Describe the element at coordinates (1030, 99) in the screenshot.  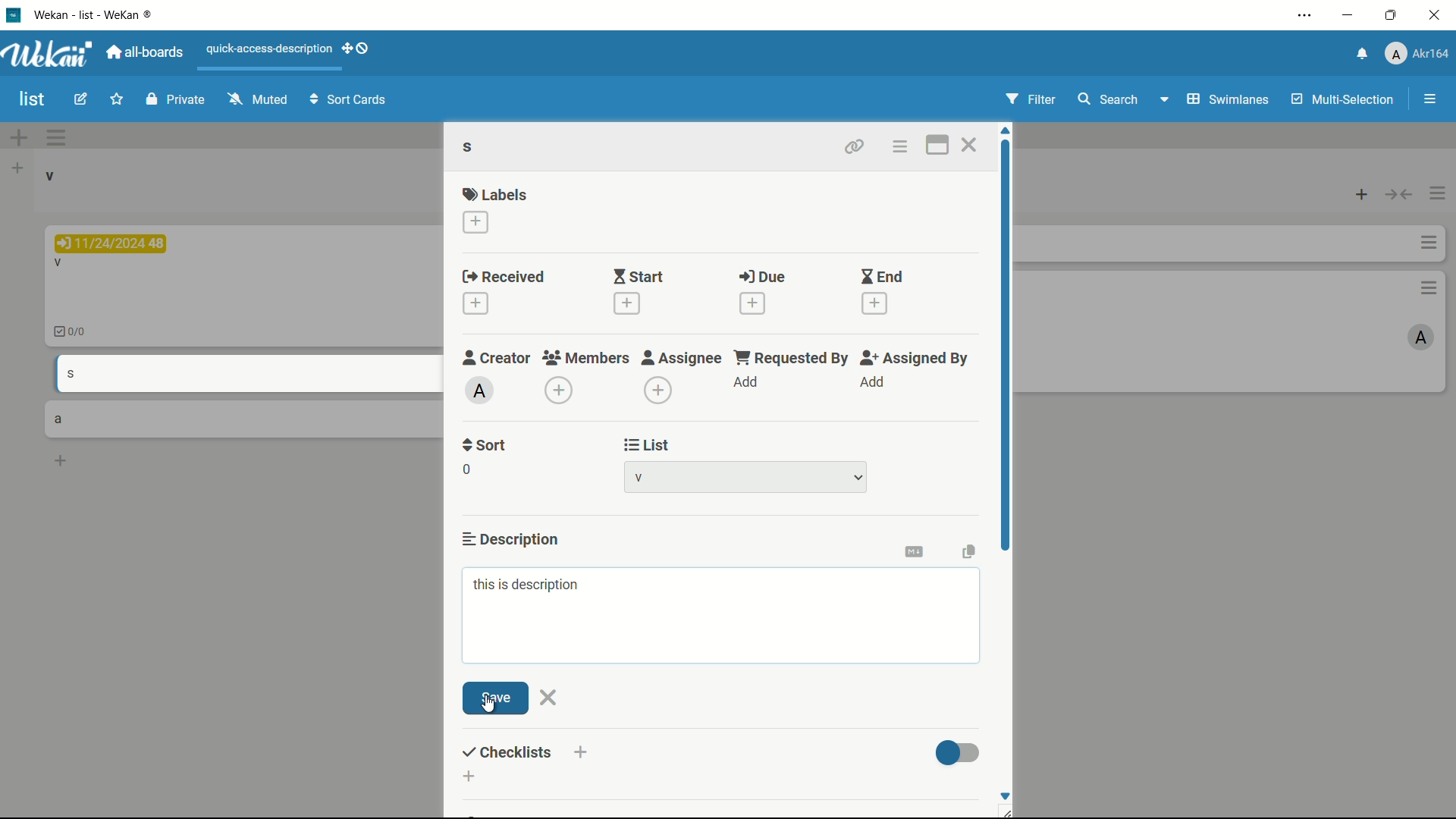
I see `filter` at that location.